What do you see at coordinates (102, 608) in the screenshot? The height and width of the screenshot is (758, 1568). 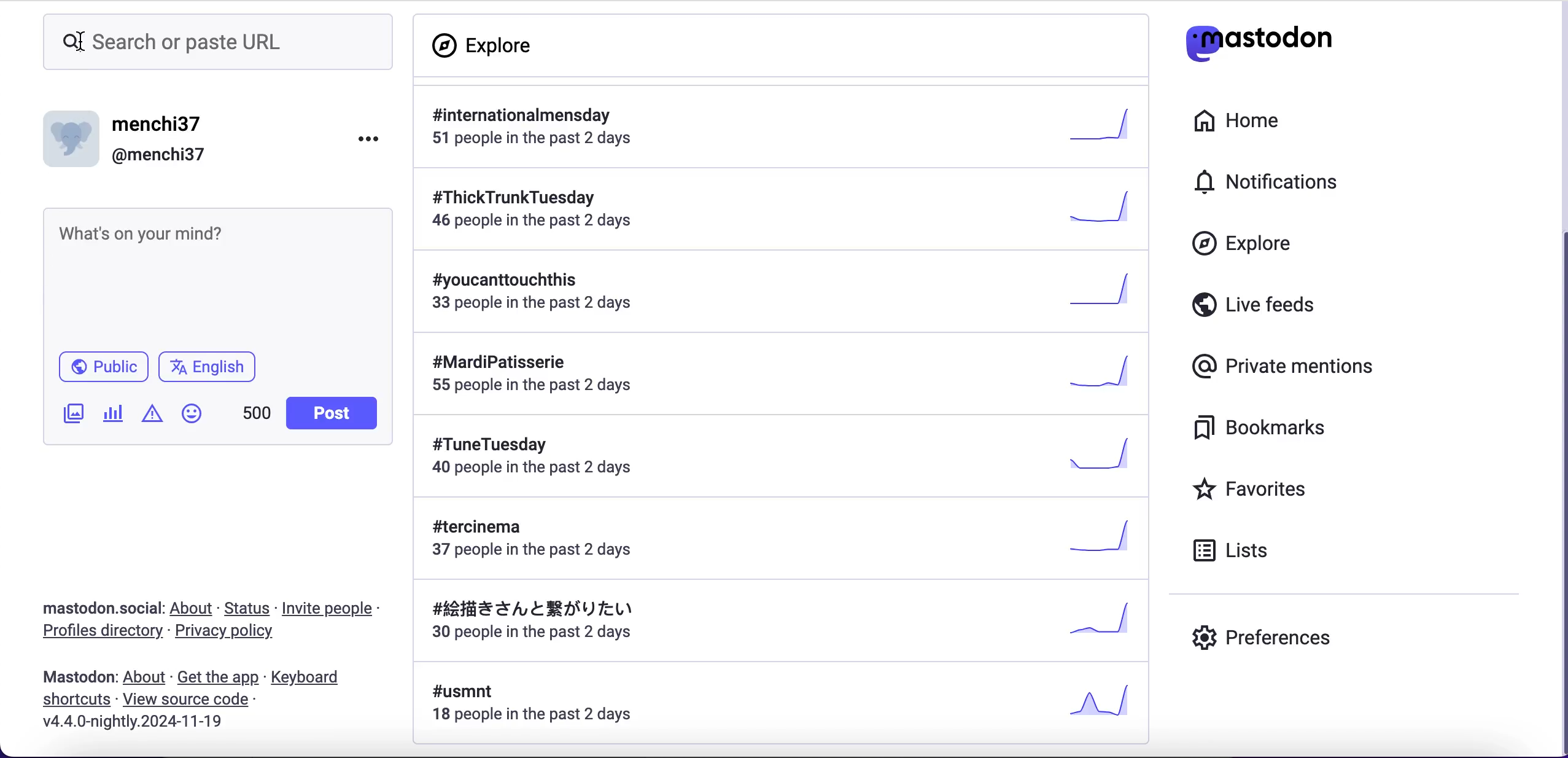 I see `mastodon.social` at bounding box center [102, 608].